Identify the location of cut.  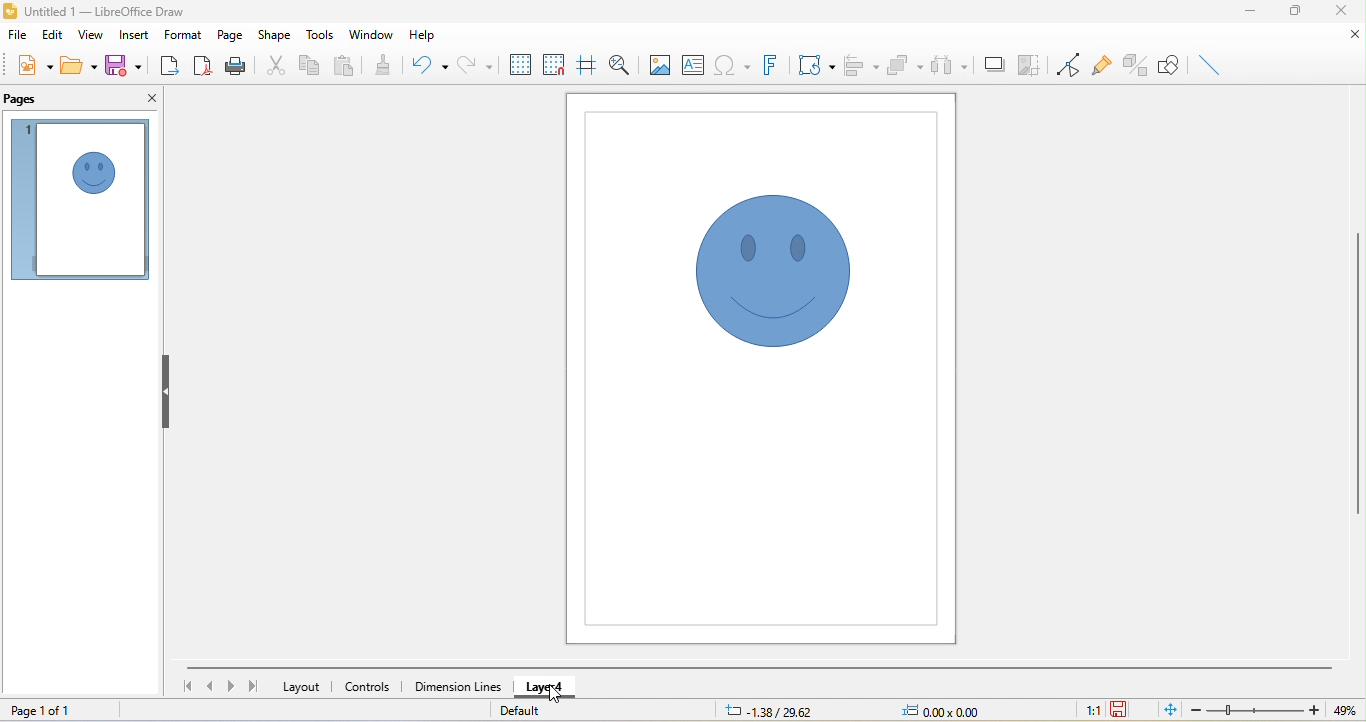
(274, 64).